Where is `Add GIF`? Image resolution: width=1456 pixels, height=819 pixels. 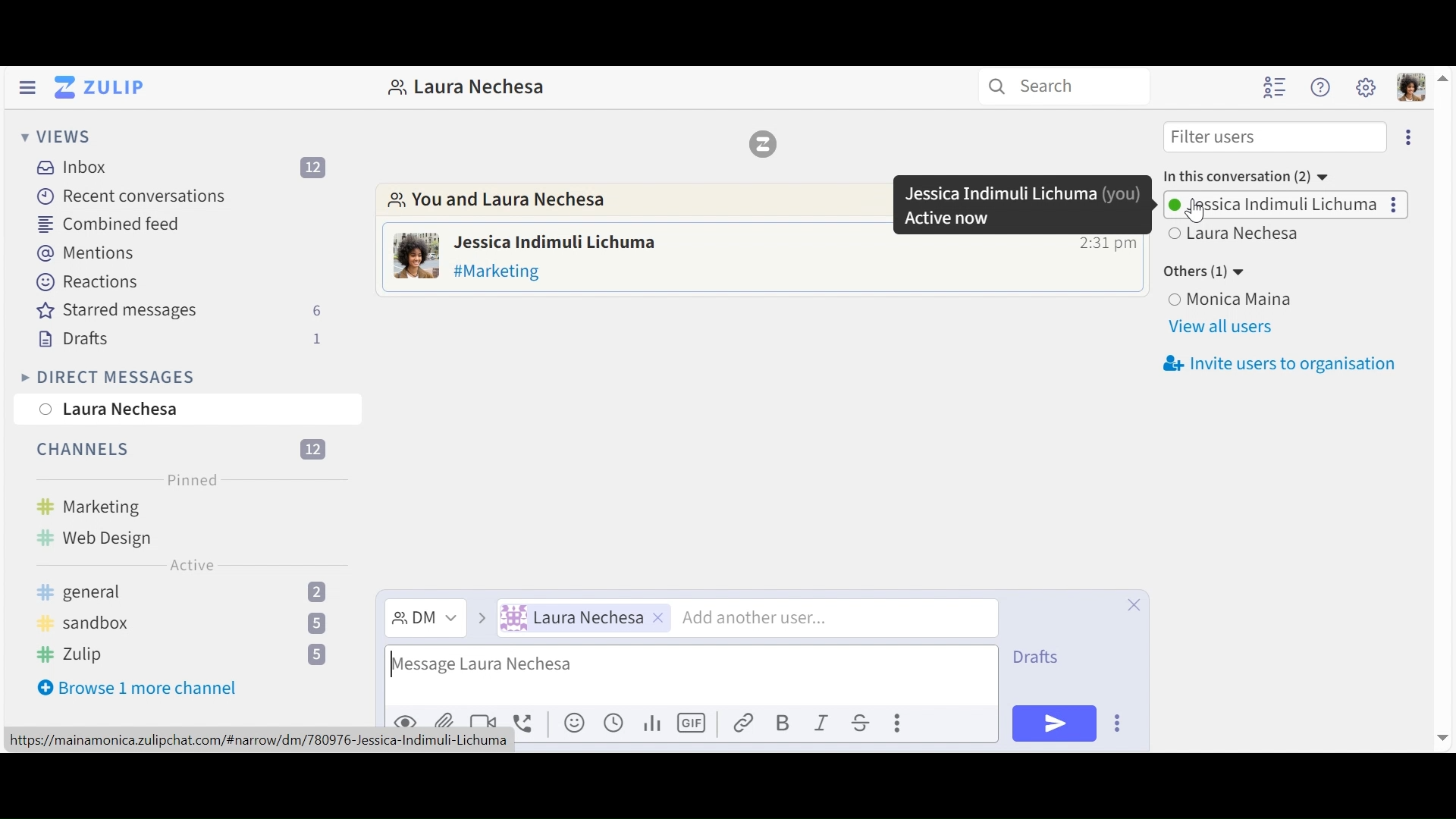
Add GIF is located at coordinates (692, 722).